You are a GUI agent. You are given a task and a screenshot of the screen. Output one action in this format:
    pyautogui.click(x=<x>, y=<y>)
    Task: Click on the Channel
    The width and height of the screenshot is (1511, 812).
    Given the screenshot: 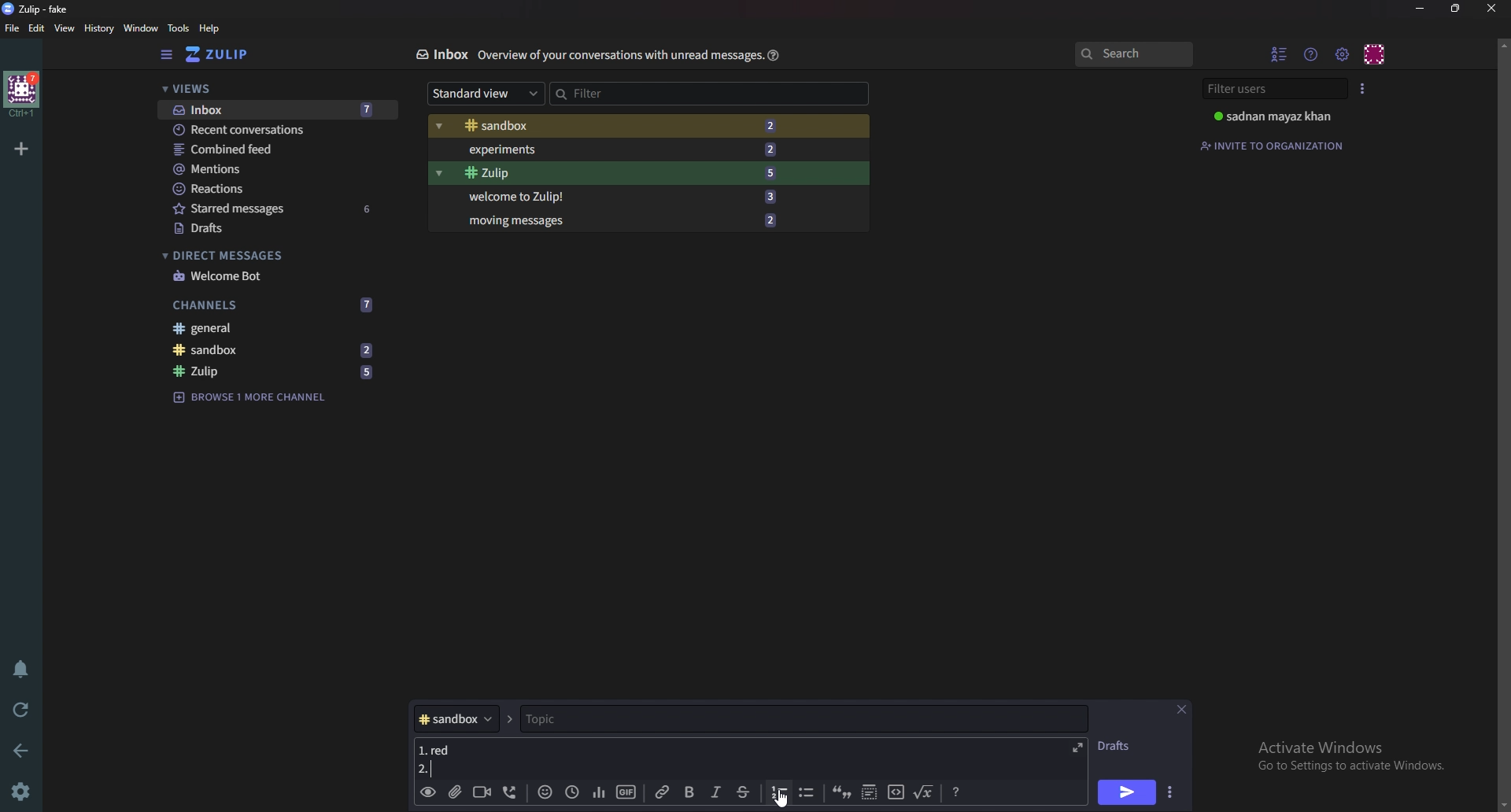 What is the action you would take?
    pyautogui.click(x=455, y=719)
    